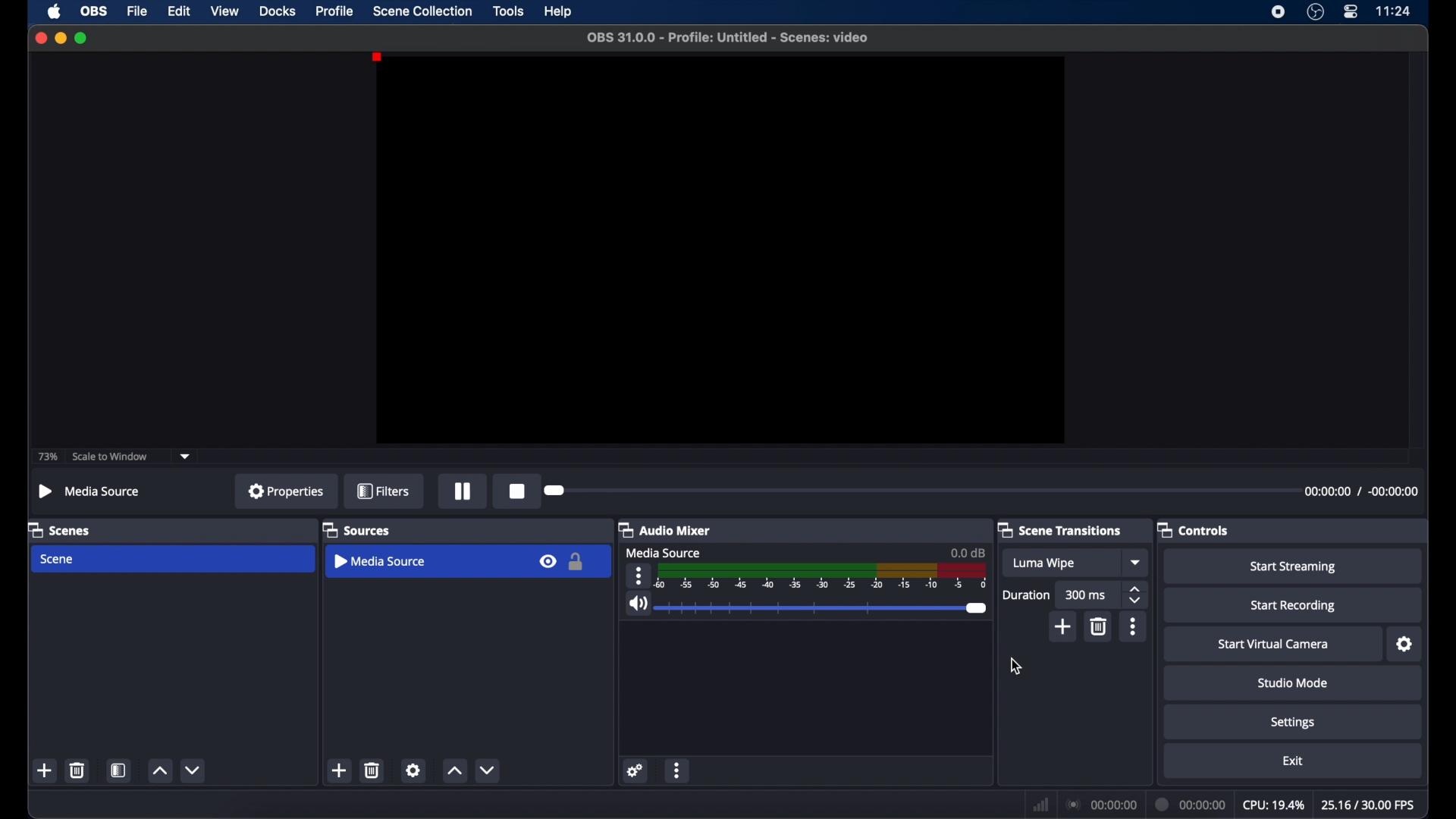  I want to click on scale to window, so click(110, 457).